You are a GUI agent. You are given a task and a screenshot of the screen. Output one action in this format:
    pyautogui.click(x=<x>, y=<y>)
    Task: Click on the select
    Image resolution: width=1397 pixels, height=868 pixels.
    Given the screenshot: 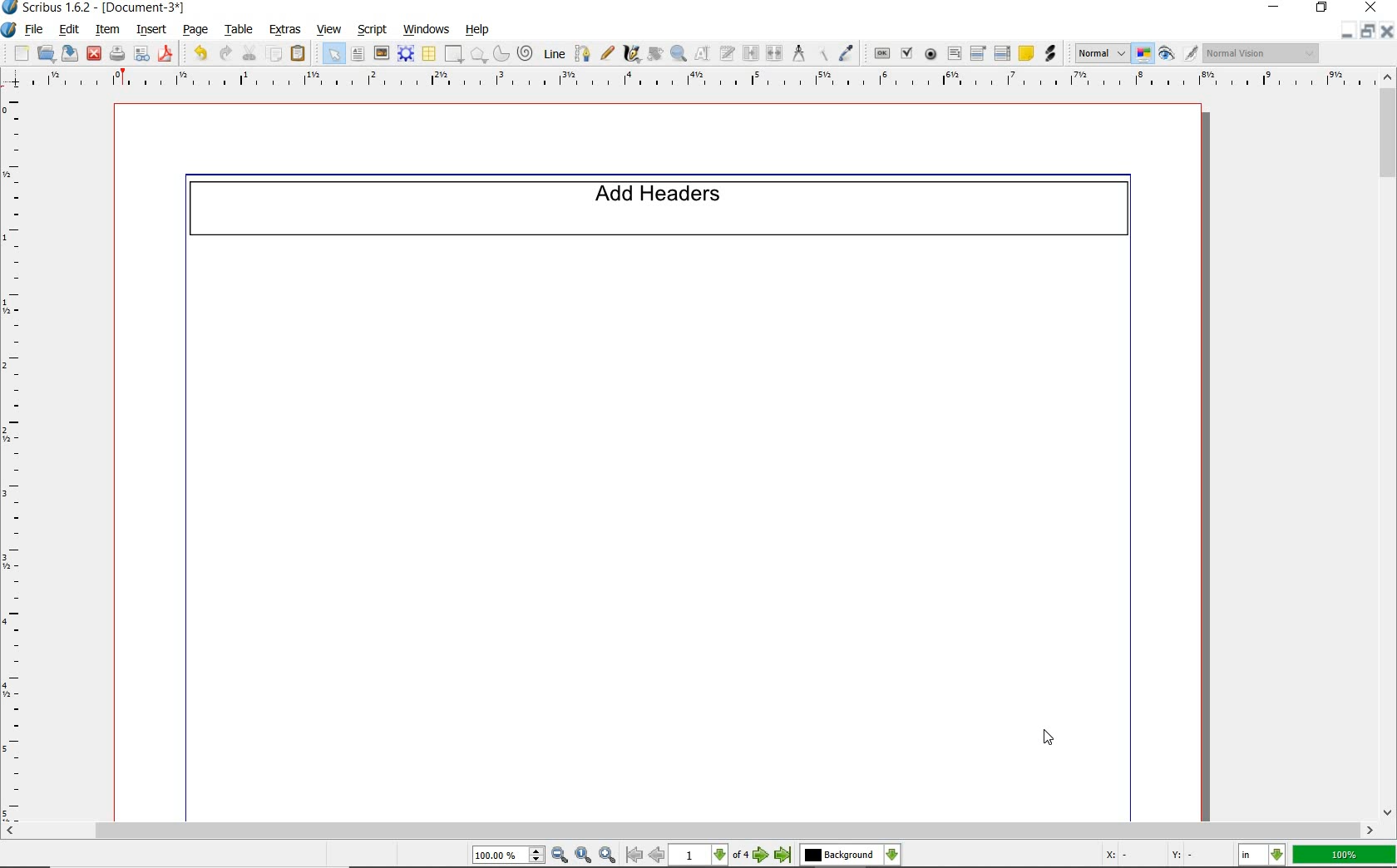 What is the action you would take?
    pyautogui.click(x=335, y=57)
    